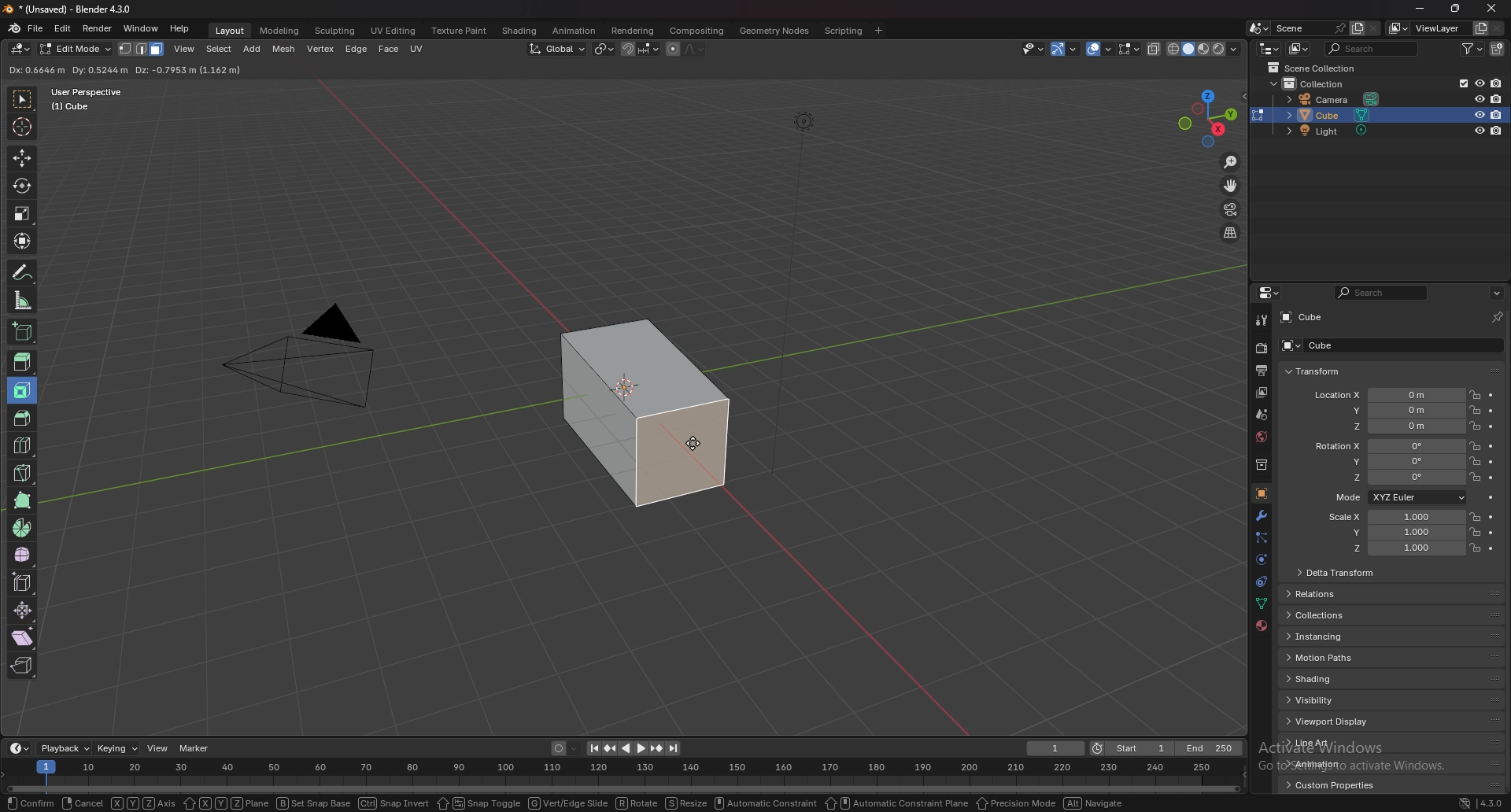  What do you see at coordinates (1498, 131) in the screenshot?
I see `disable in render` at bounding box center [1498, 131].